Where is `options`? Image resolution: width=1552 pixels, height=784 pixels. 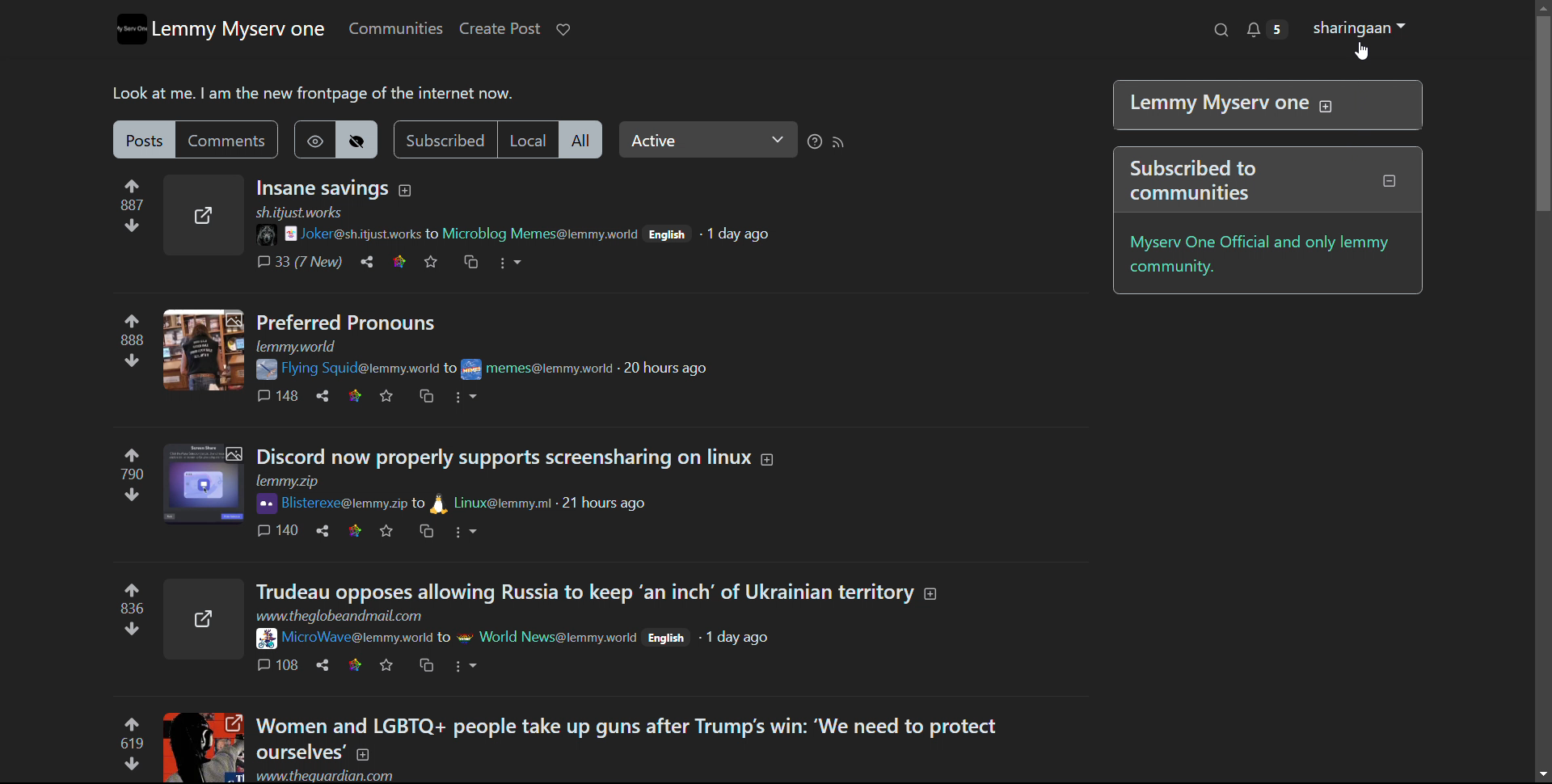
options is located at coordinates (466, 398).